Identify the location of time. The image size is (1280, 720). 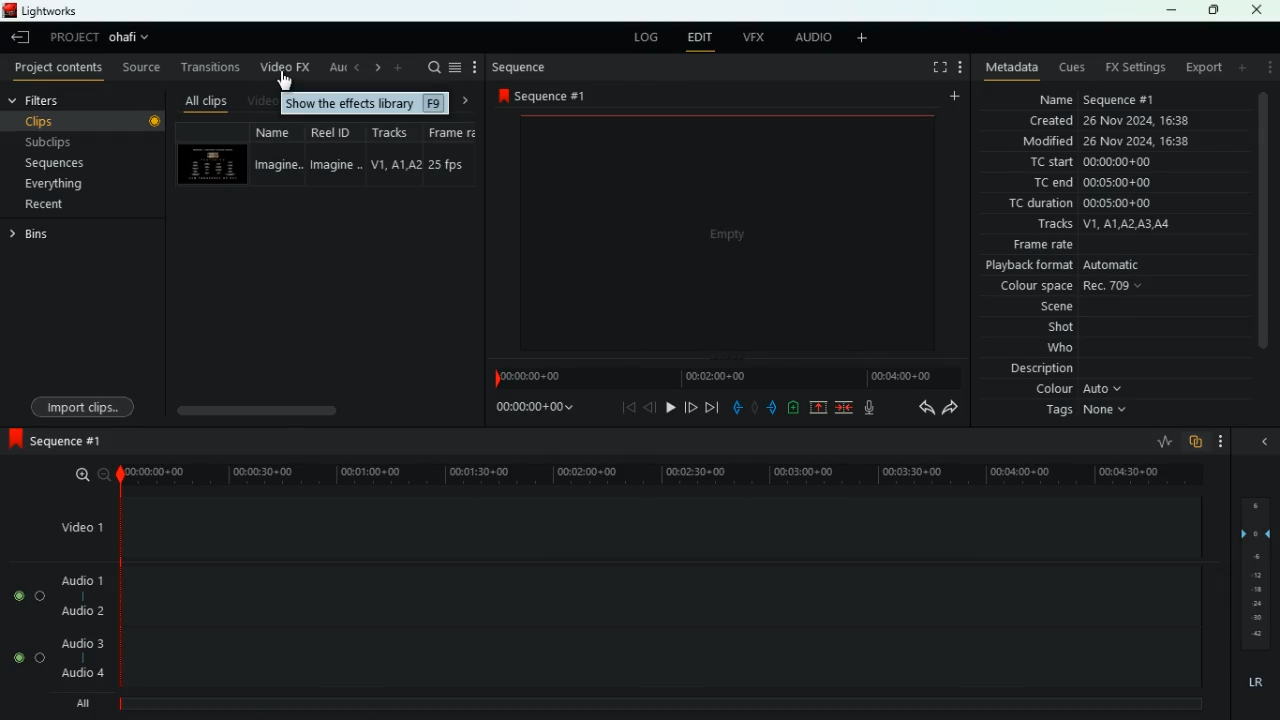
(531, 410).